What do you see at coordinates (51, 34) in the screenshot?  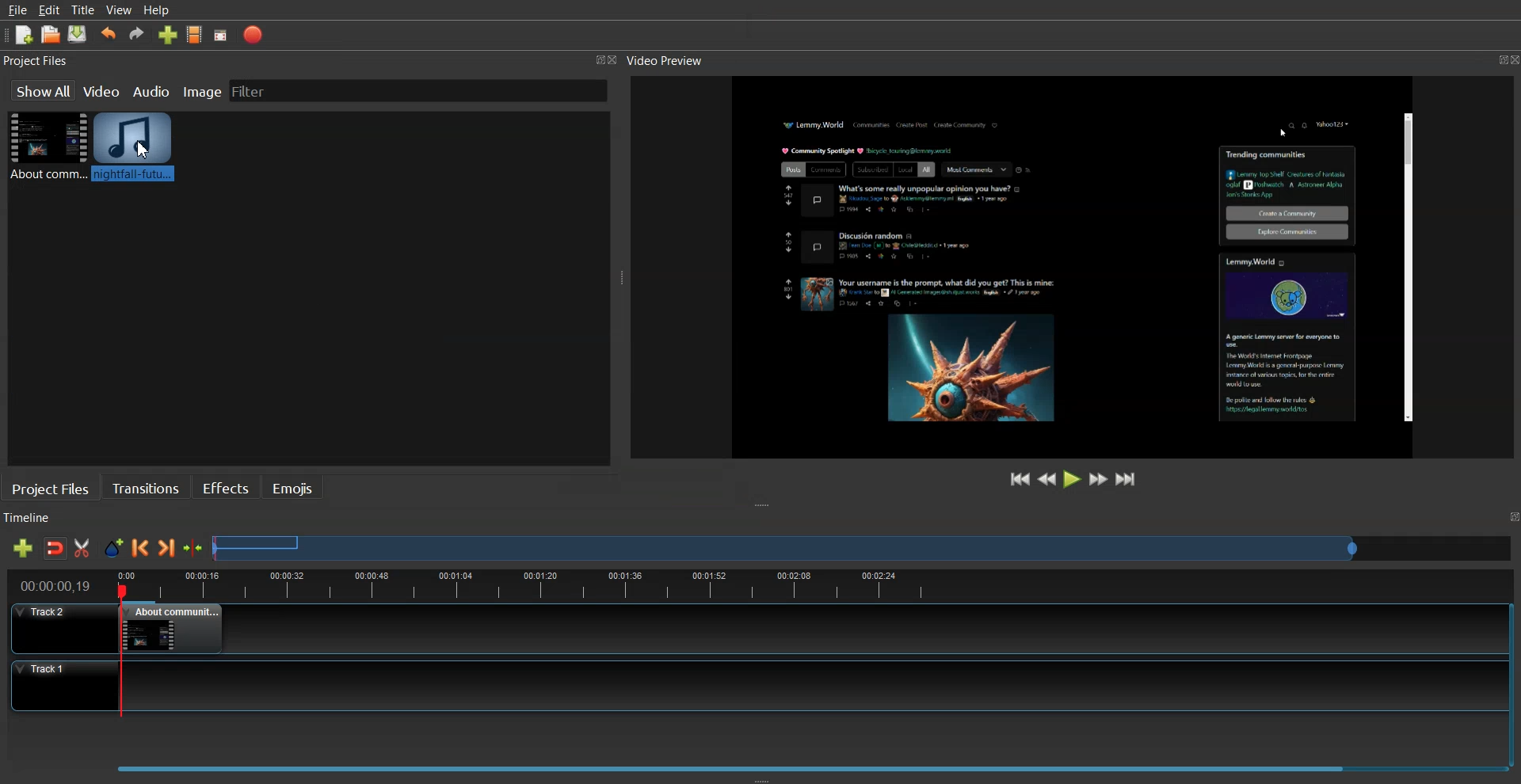 I see `Open Project` at bounding box center [51, 34].